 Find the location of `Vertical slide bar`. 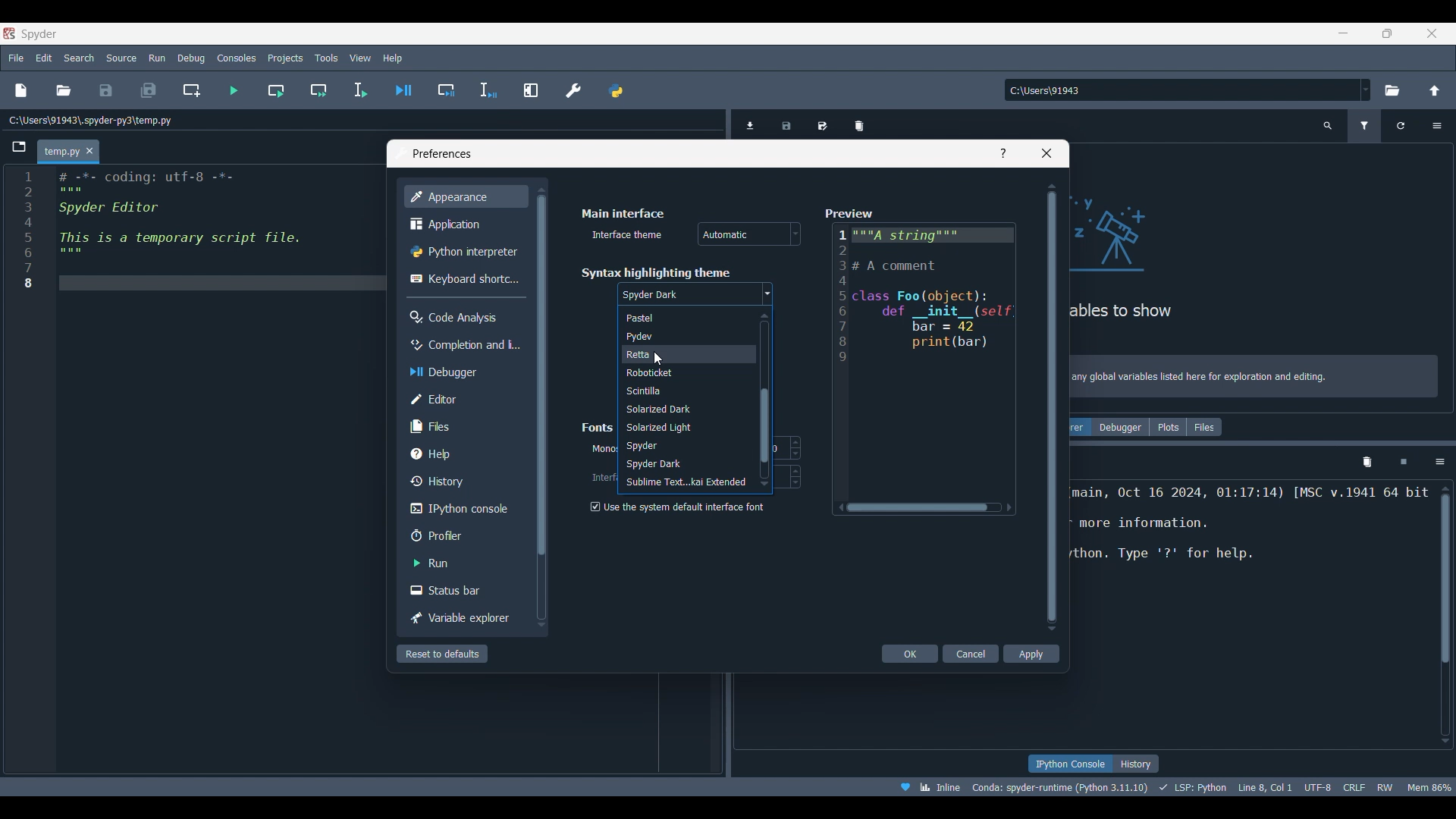

Vertical slide bar is located at coordinates (1052, 406).